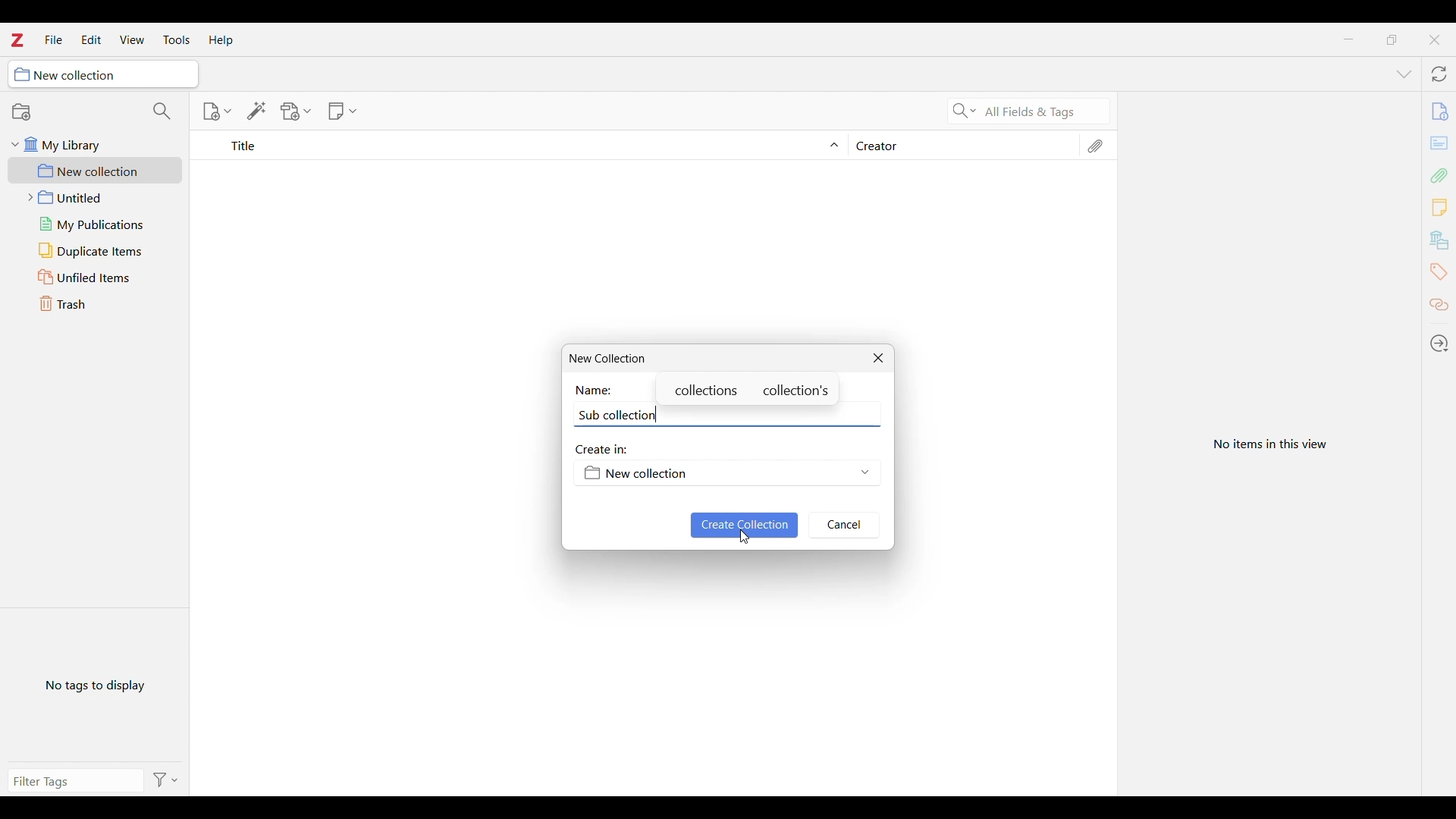  Describe the element at coordinates (595, 391) in the screenshot. I see `Name:` at that location.